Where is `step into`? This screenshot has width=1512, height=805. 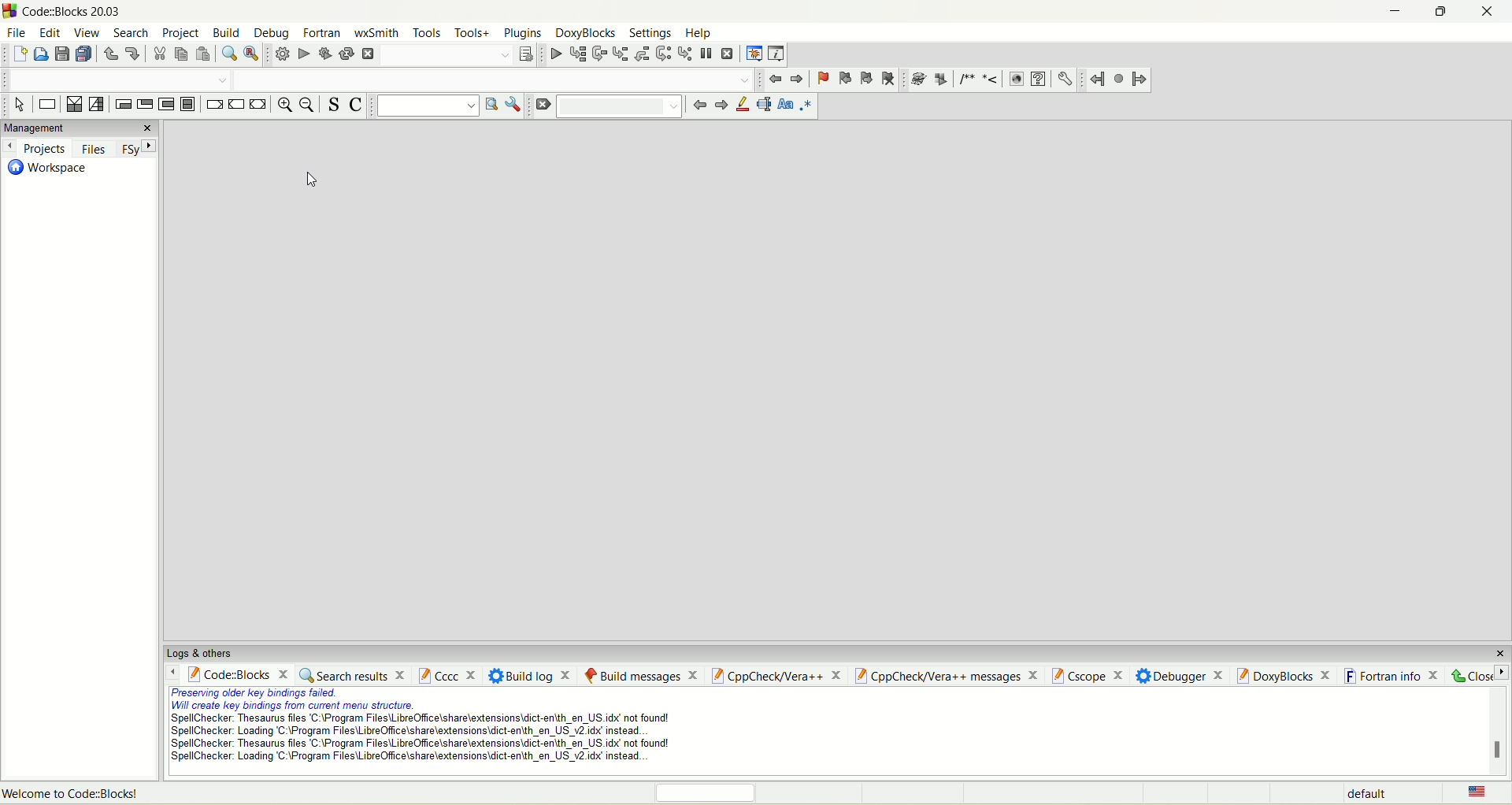
step into is located at coordinates (620, 54).